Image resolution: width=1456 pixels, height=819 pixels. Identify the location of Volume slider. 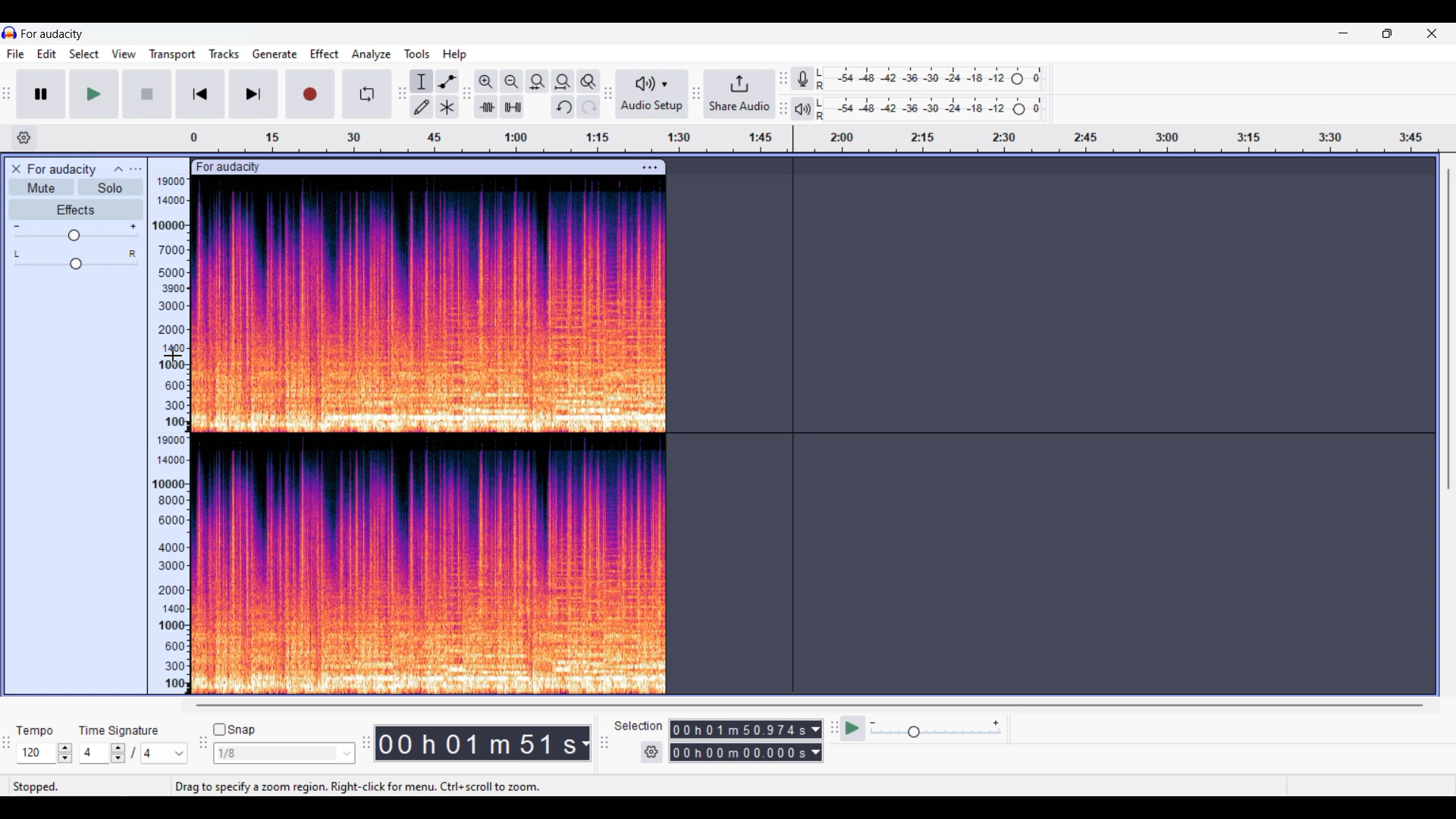
(76, 232).